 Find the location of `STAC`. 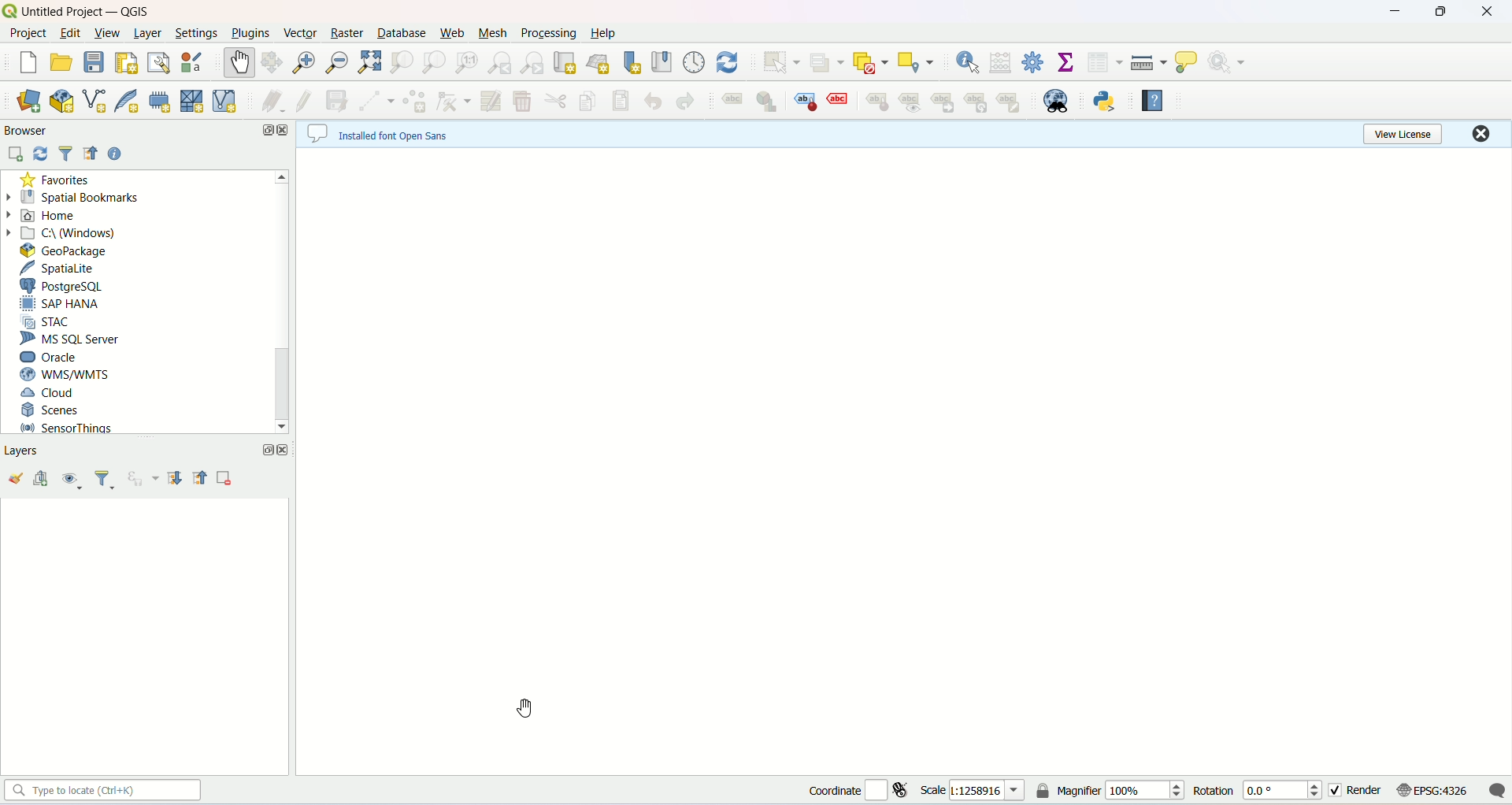

STAC is located at coordinates (47, 320).